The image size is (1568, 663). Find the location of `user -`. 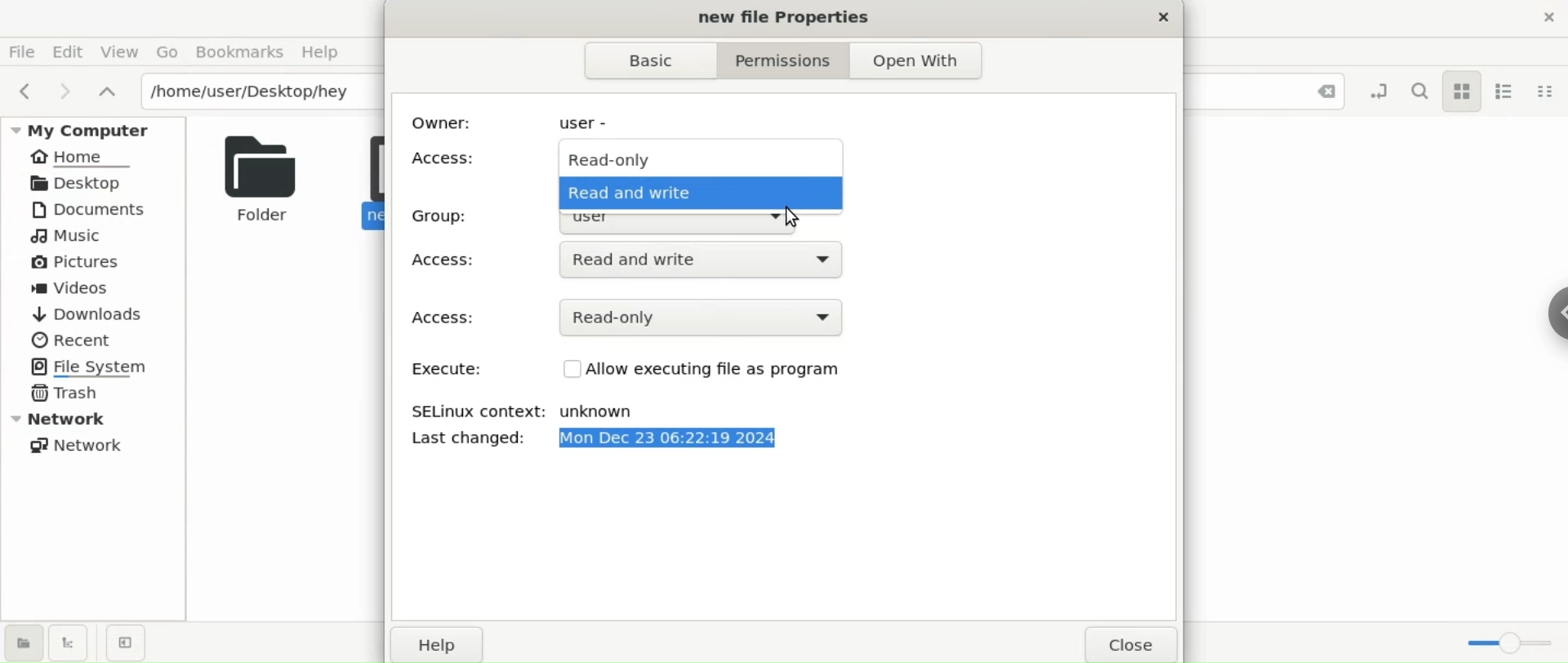

user - is located at coordinates (586, 121).